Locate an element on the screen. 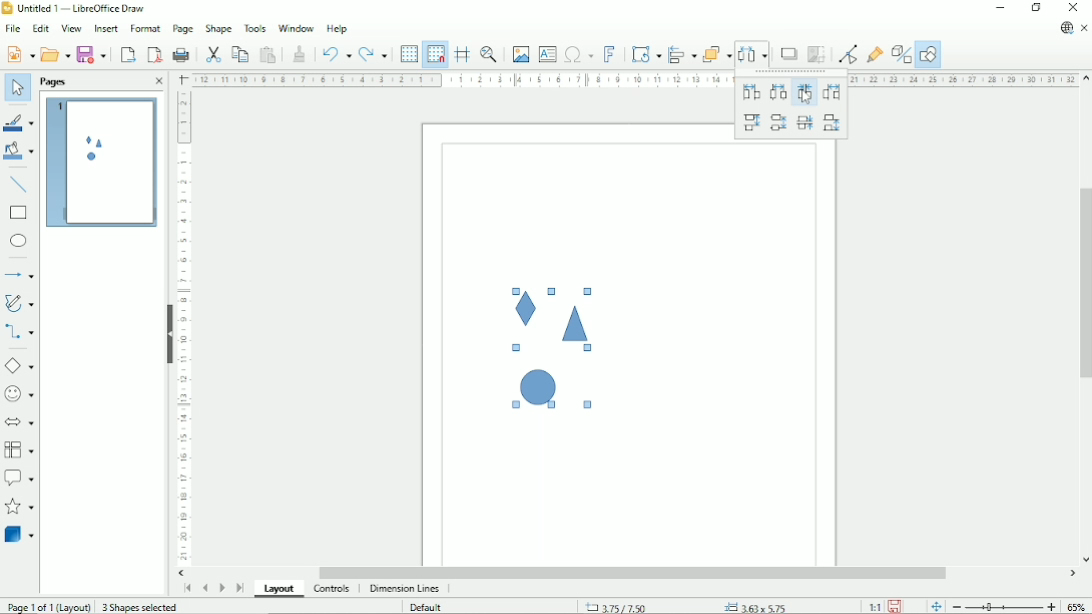 This screenshot has height=614, width=1092. Layout is located at coordinates (279, 590).